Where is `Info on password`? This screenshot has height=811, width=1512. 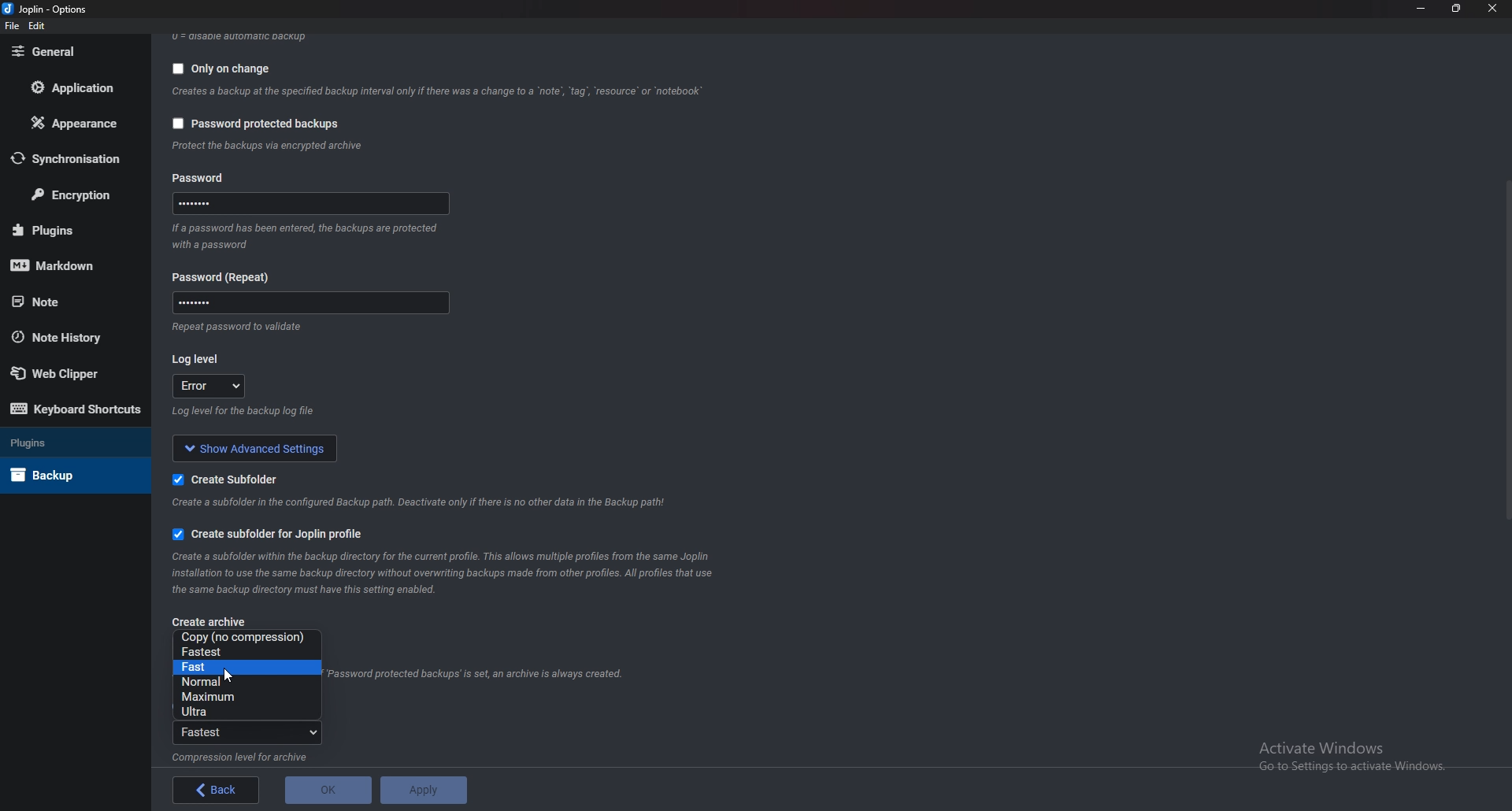
Info on password is located at coordinates (306, 239).